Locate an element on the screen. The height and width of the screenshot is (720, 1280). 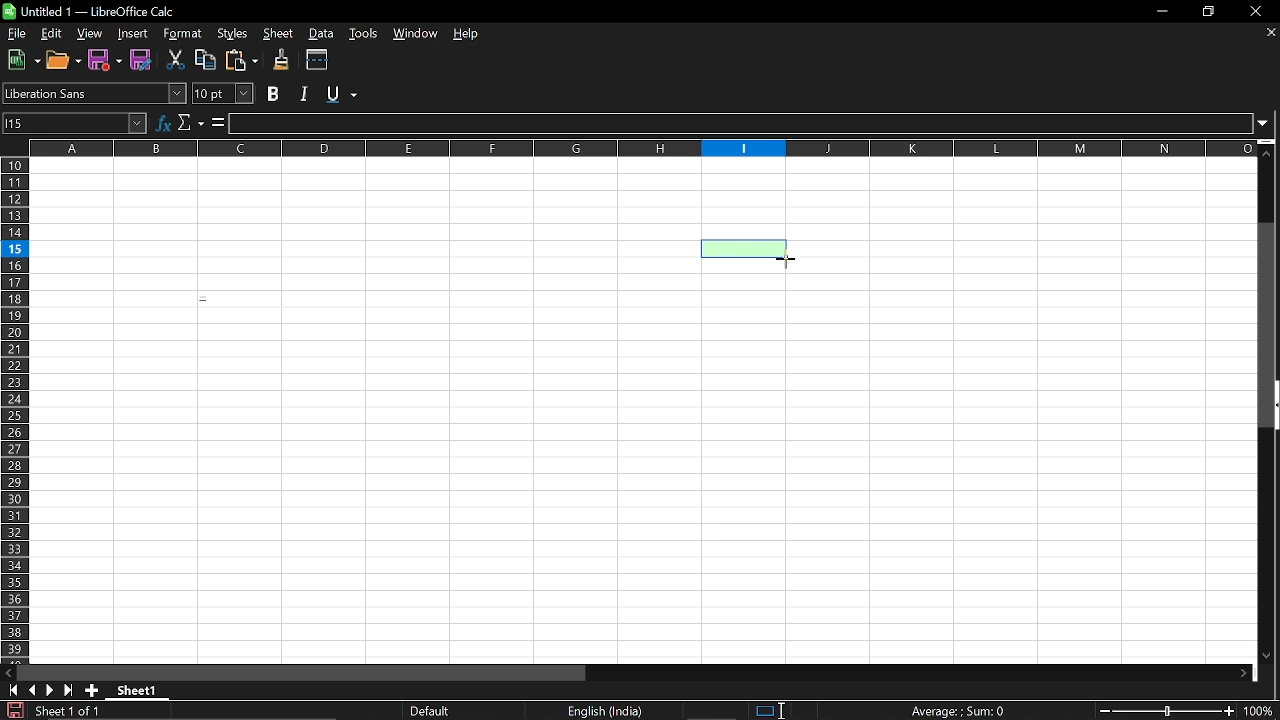
Font size is located at coordinates (225, 94).